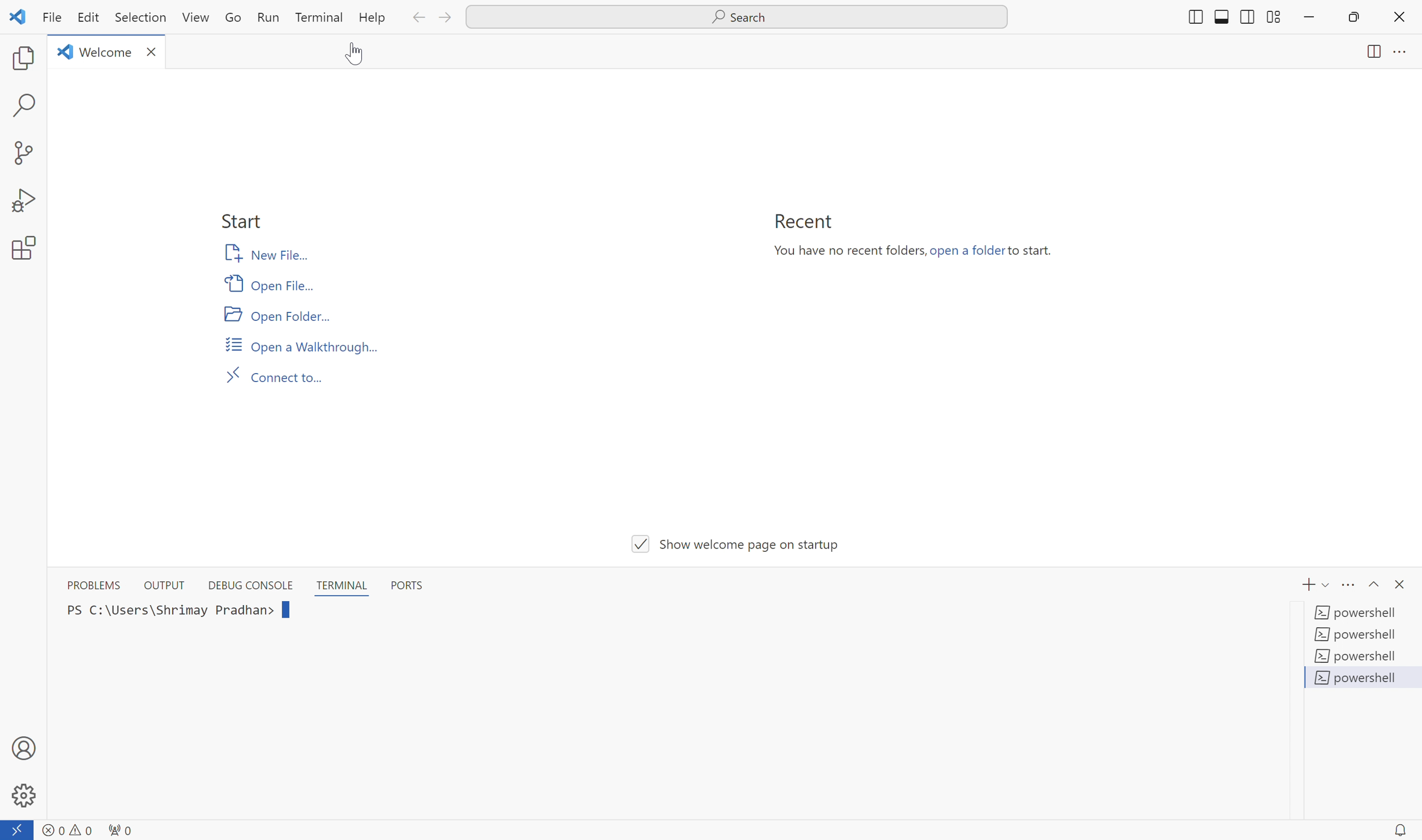  Describe the element at coordinates (164, 582) in the screenshot. I see `OUTPUT` at that location.